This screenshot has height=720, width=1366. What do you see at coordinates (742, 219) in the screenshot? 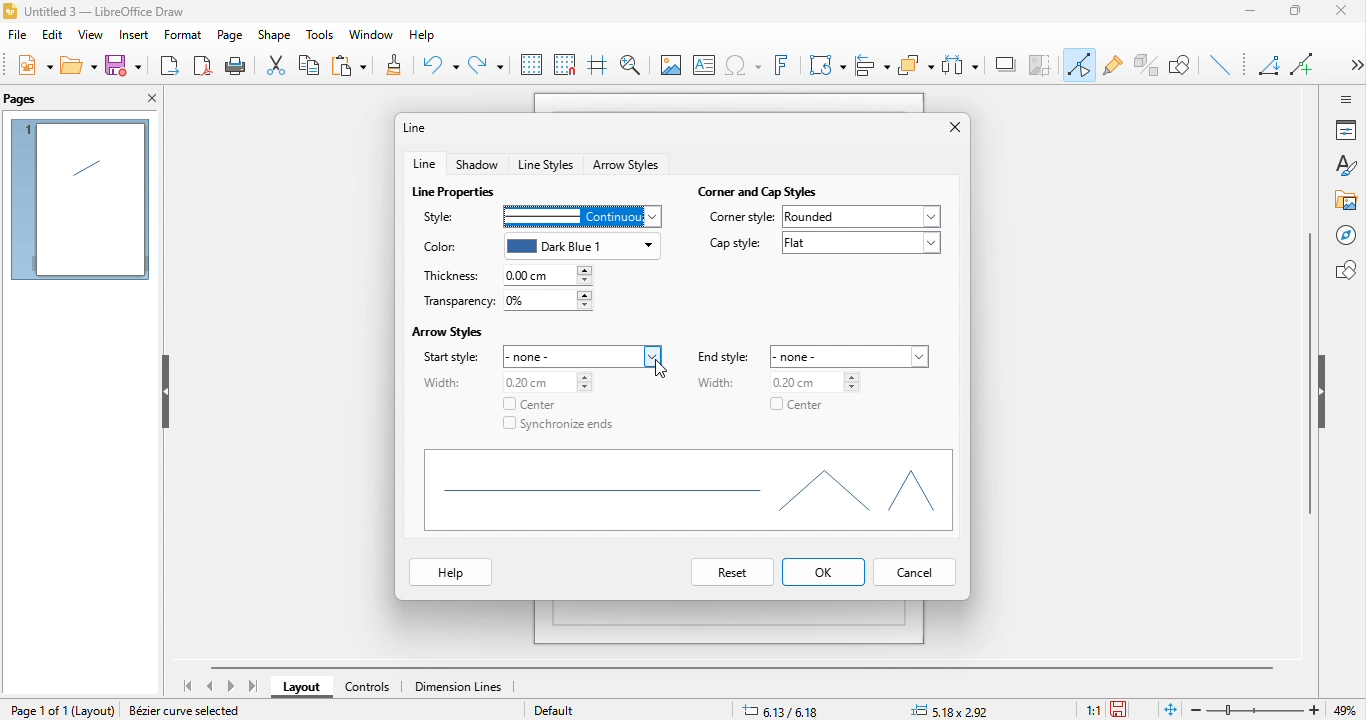
I see `corner style` at bounding box center [742, 219].